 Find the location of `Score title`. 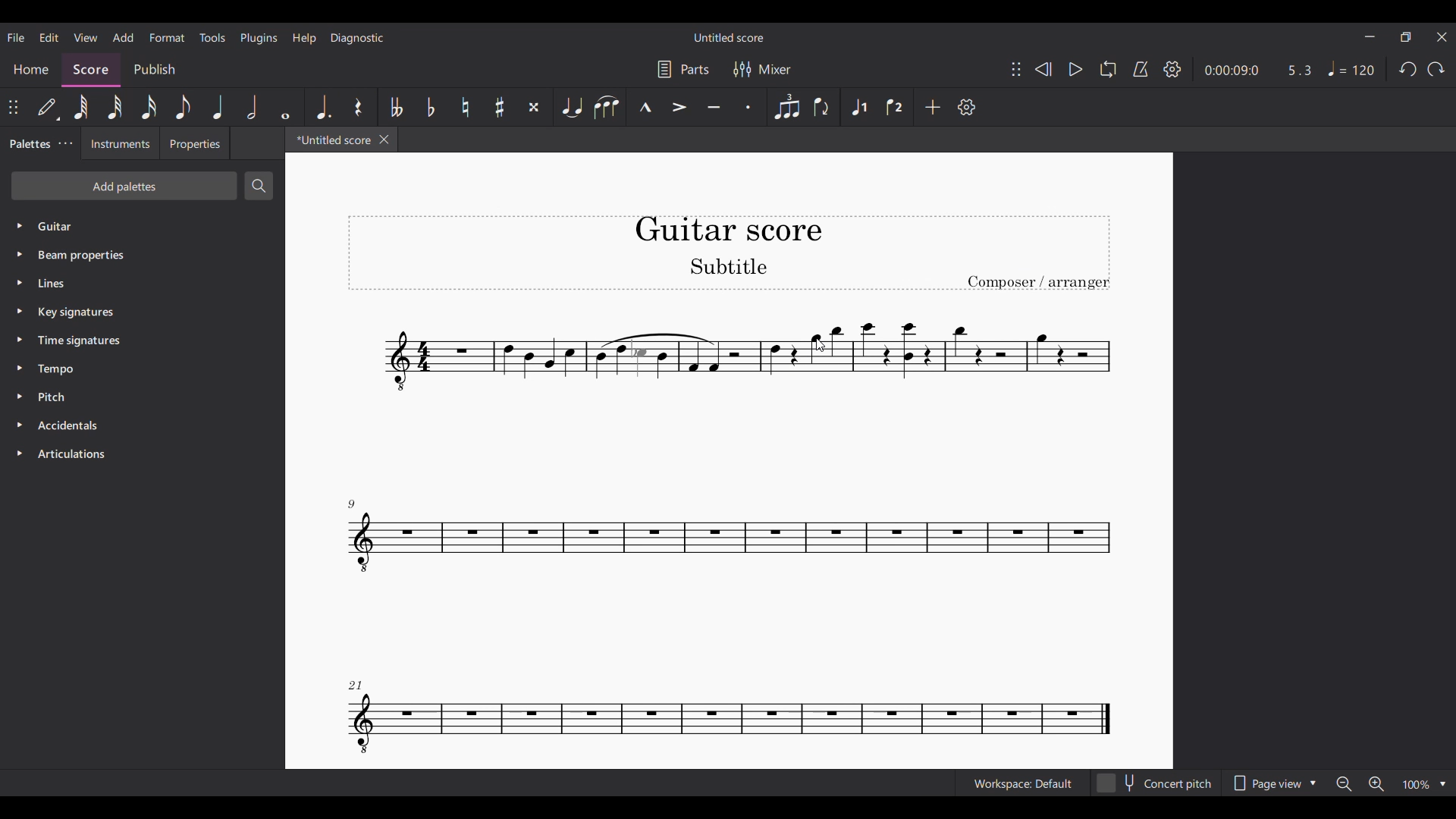

Score title is located at coordinates (728, 38).